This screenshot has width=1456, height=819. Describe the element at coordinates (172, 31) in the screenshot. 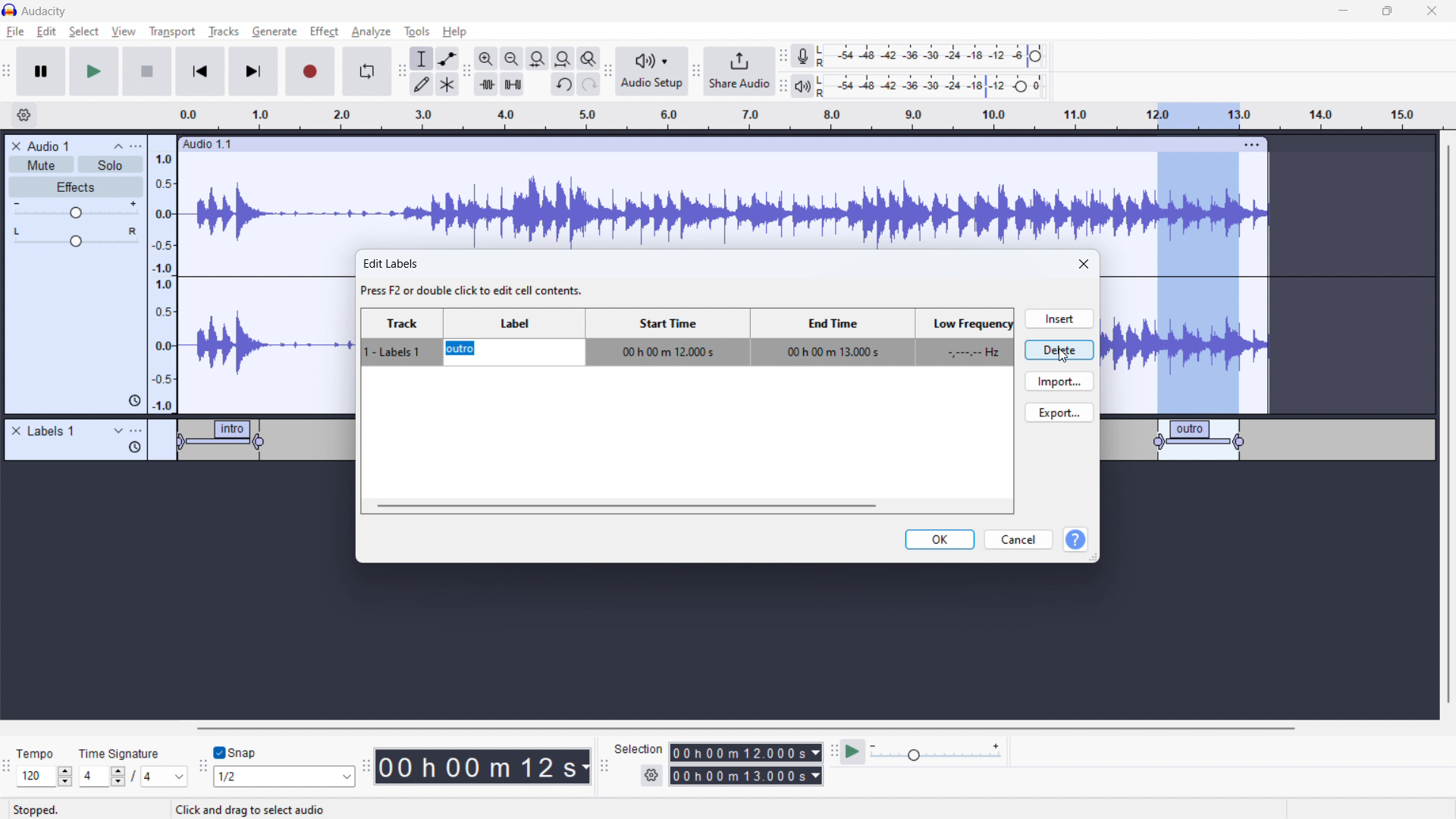

I see `transport` at that location.